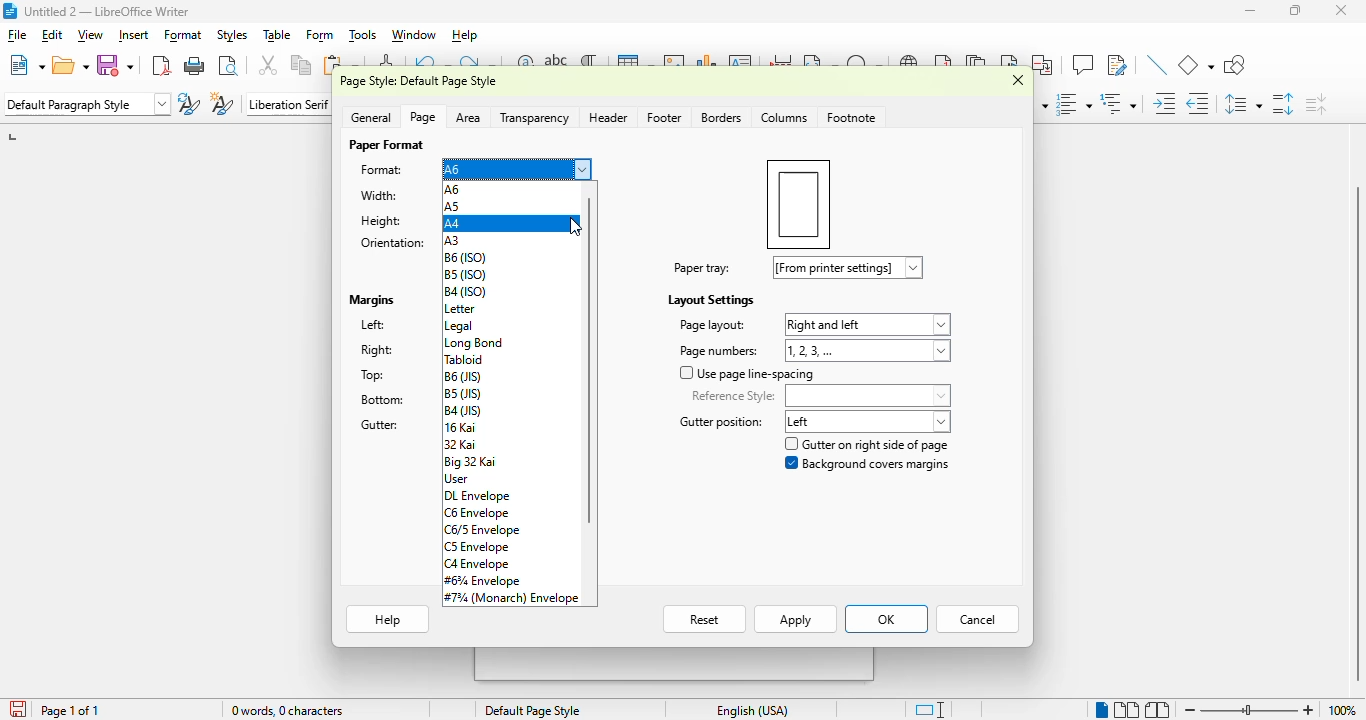 The height and width of the screenshot is (720, 1366). Describe the element at coordinates (162, 66) in the screenshot. I see `export directly as PDF` at that location.